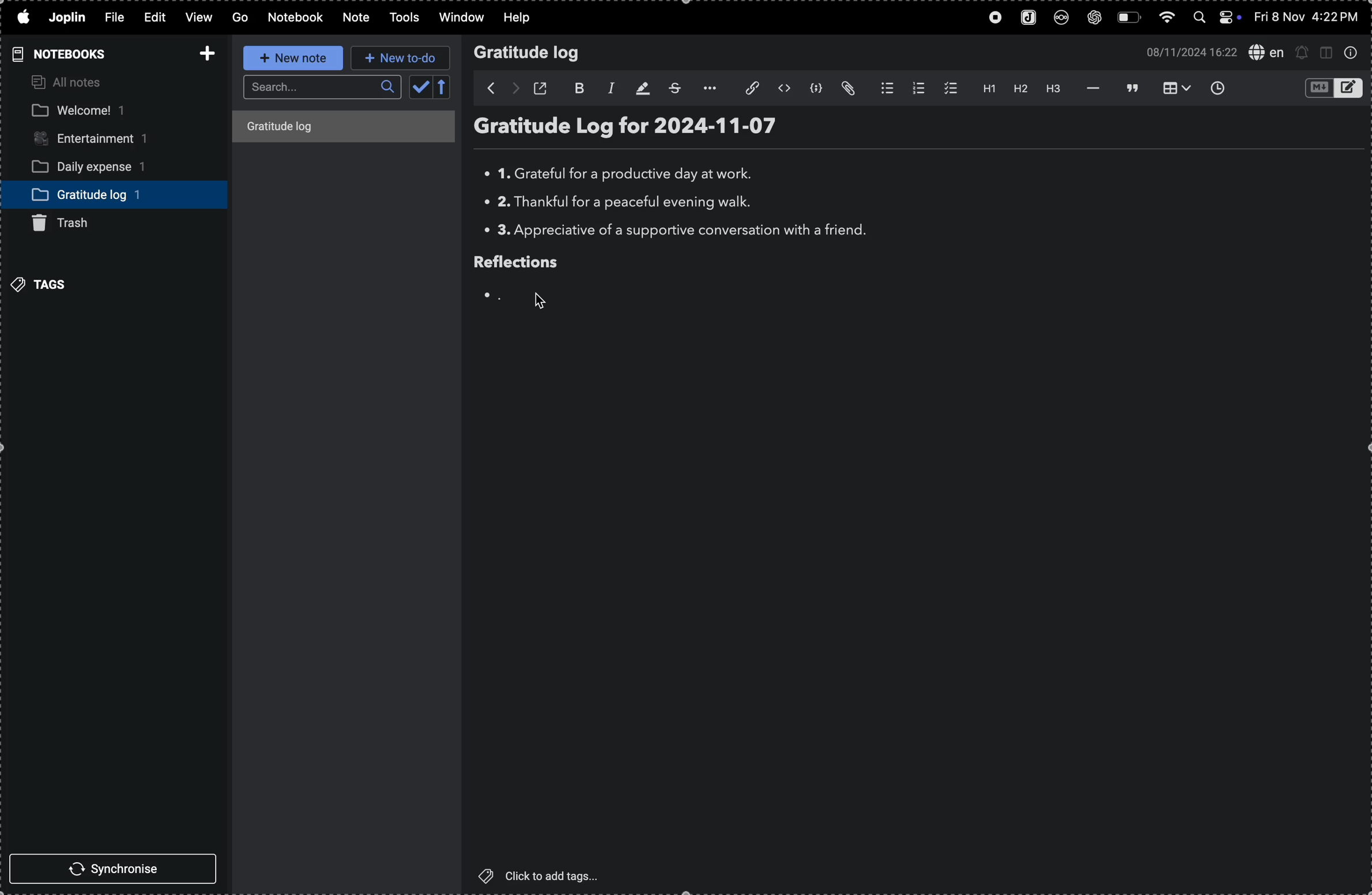 The height and width of the screenshot is (895, 1372). What do you see at coordinates (402, 57) in the screenshot?
I see `new to do` at bounding box center [402, 57].